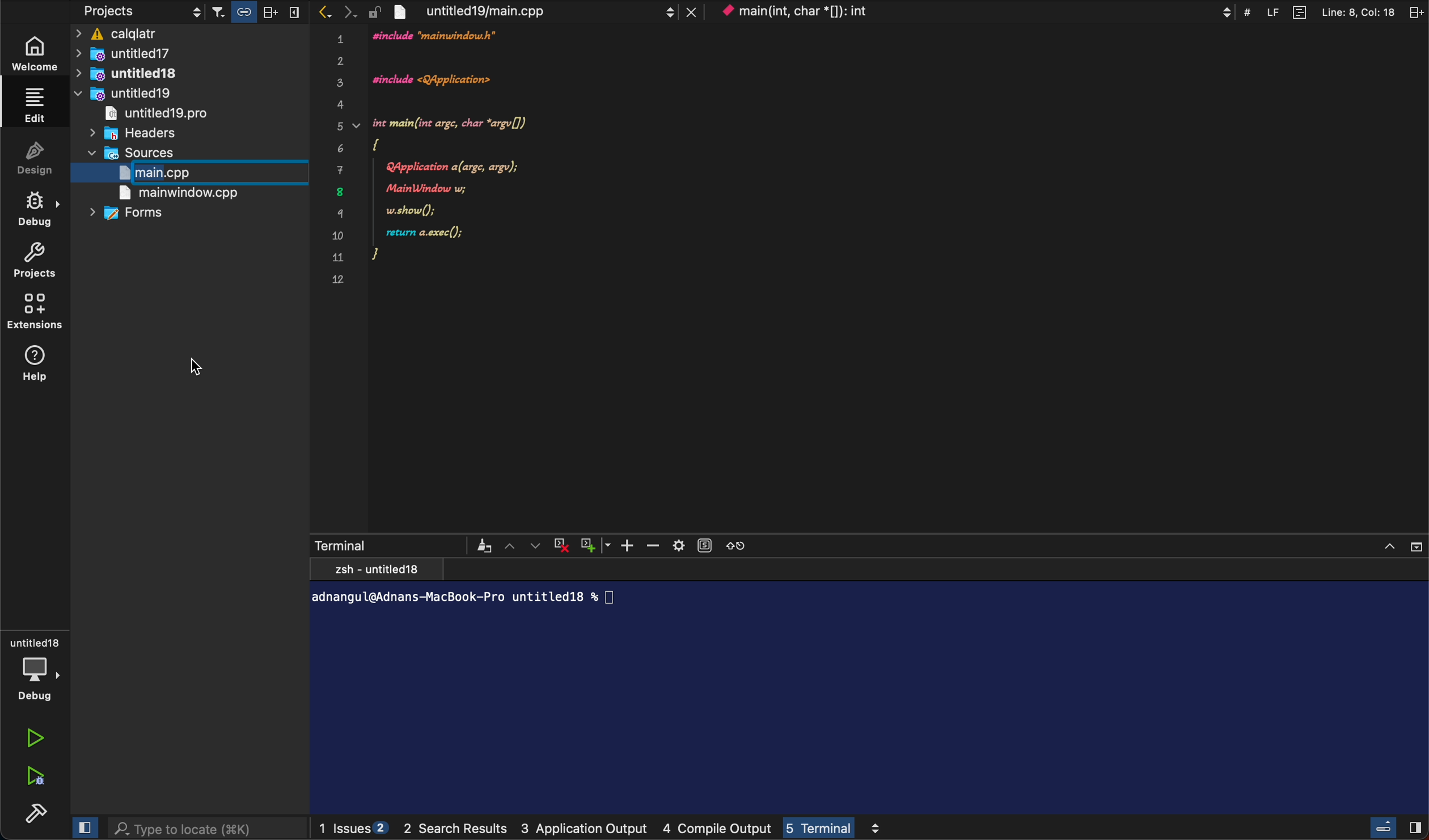 The height and width of the screenshot is (840, 1429). What do you see at coordinates (873, 688) in the screenshot?
I see `terminal` at bounding box center [873, 688].